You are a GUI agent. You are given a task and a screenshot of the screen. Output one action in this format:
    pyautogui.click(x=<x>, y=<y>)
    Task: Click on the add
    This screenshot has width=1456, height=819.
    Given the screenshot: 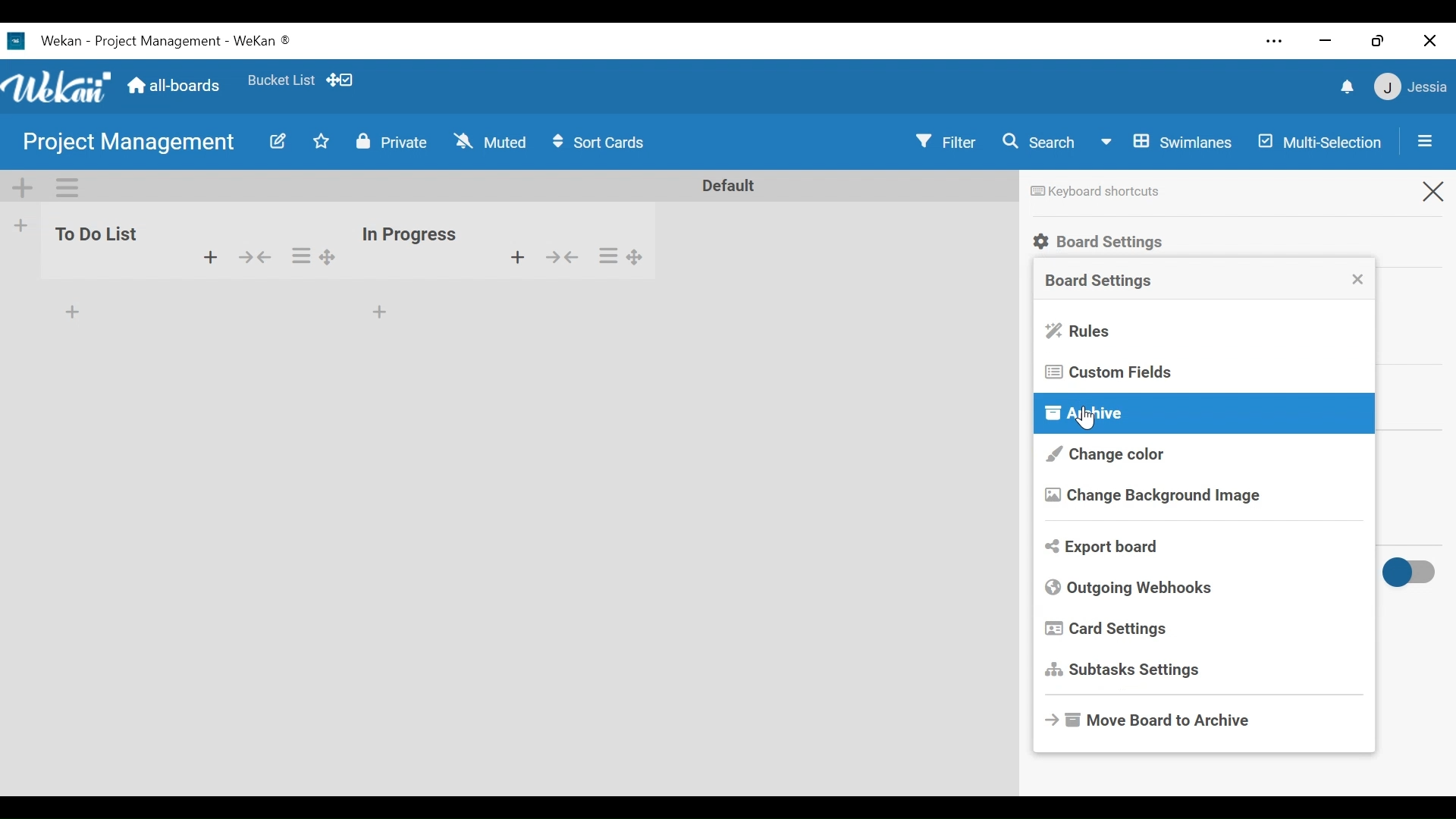 What is the action you would take?
    pyautogui.click(x=507, y=257)
    